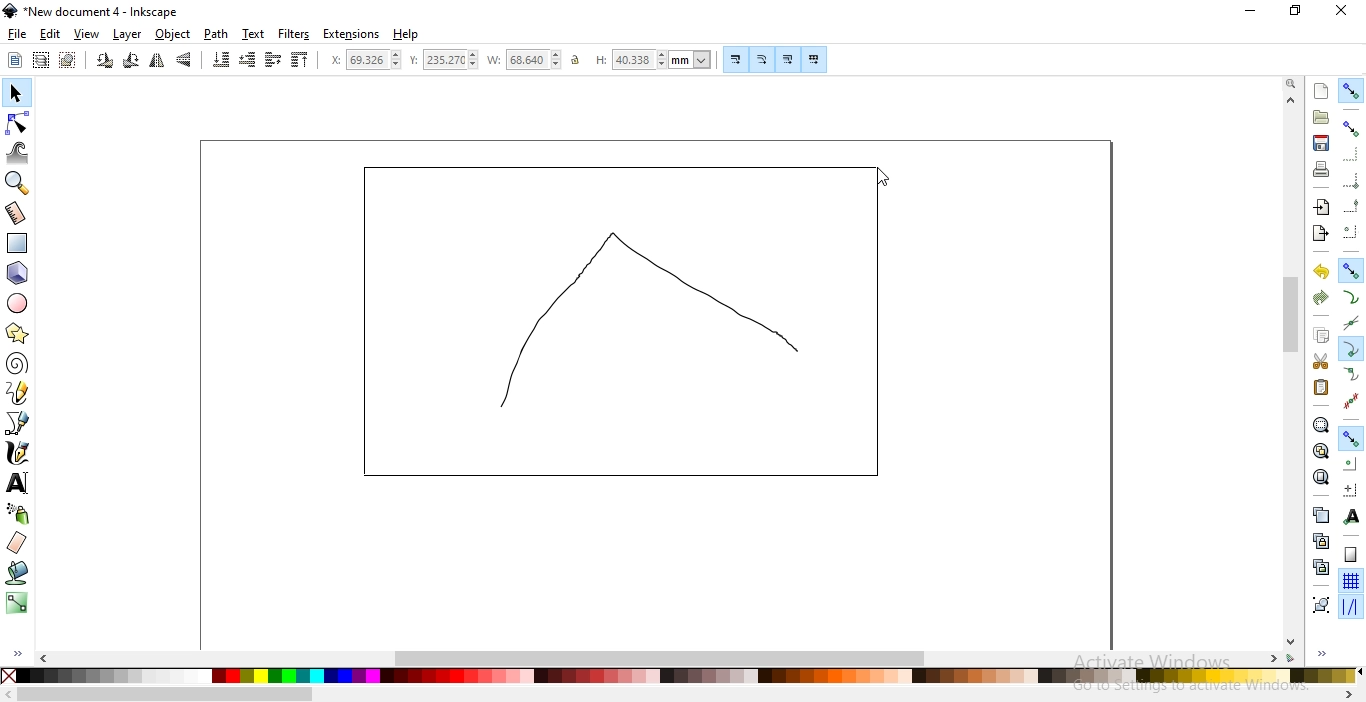  I want to click on measurement tool, so click(16, 215).